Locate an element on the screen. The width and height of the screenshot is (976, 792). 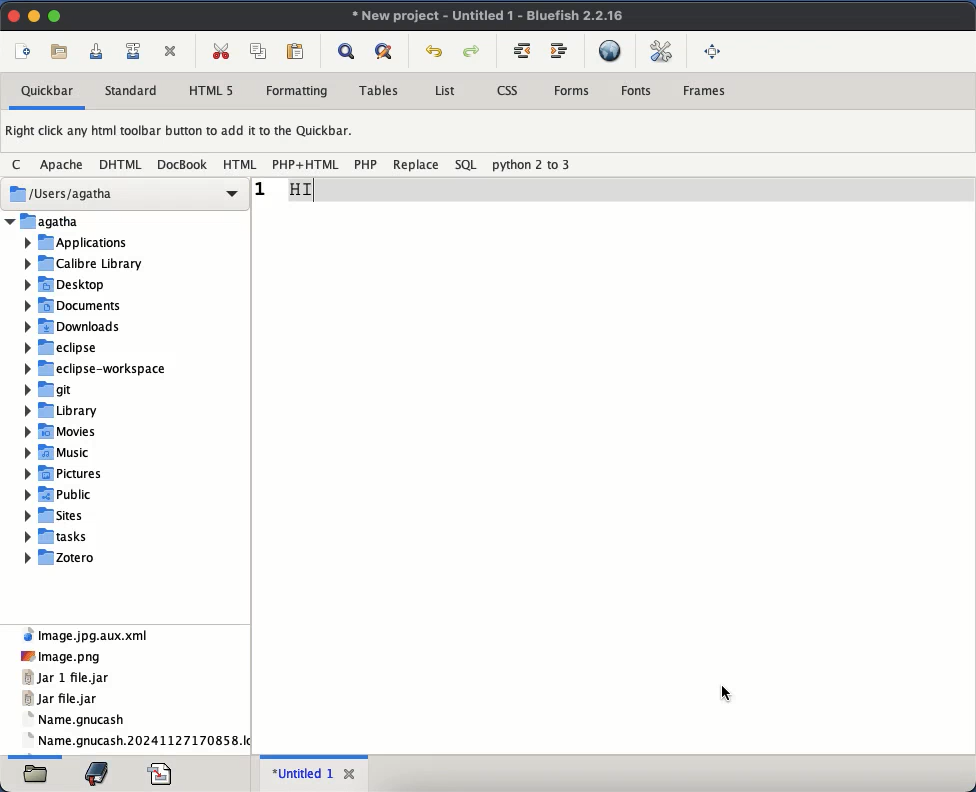
html 5 is located at coordinates (217, 90).